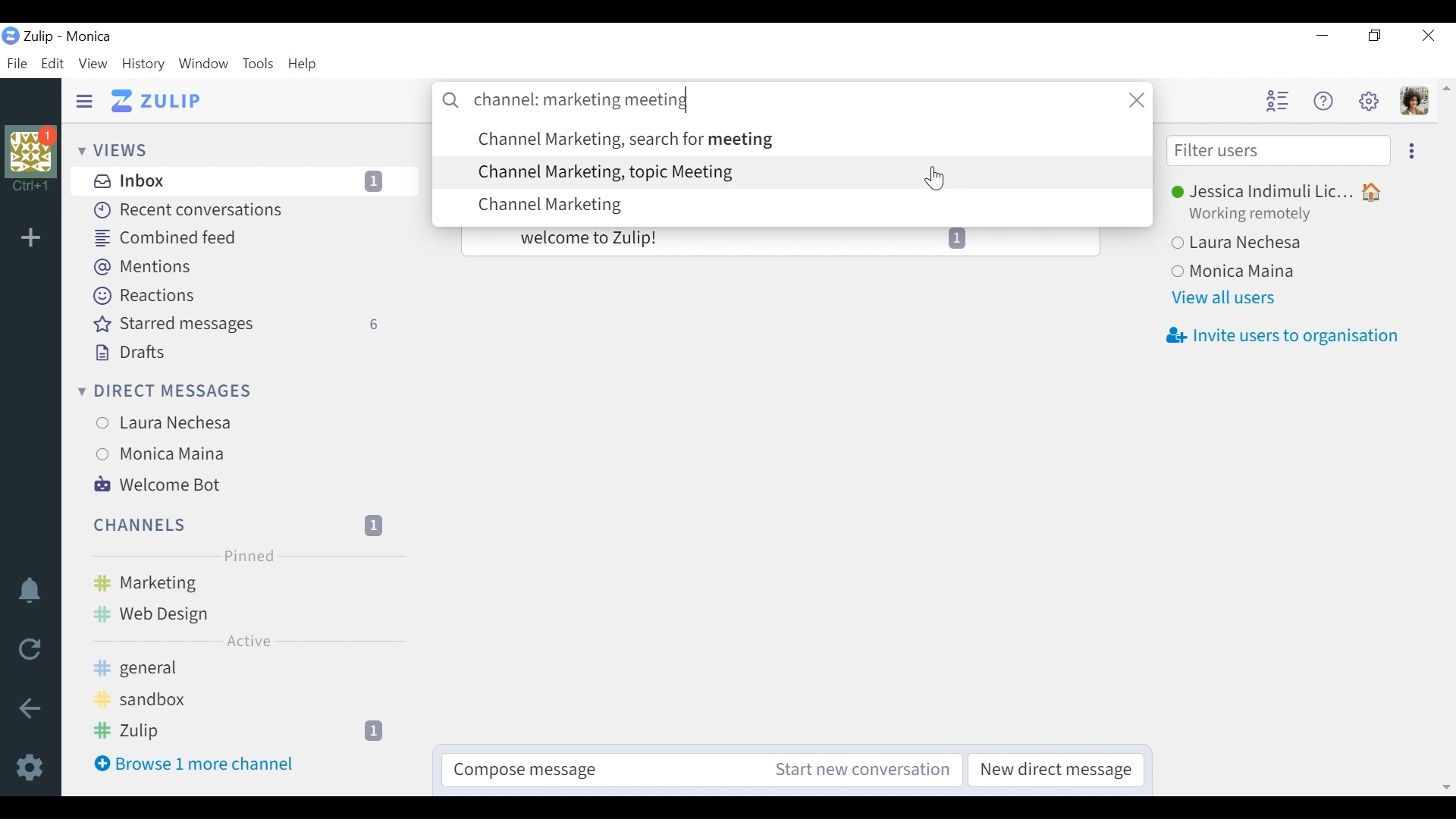 The image size is (1456, 819). What do you see at coordinates (196, 763) in the screenshot?
I see `Browse 1 more channel` at bounding box center [196, 763].